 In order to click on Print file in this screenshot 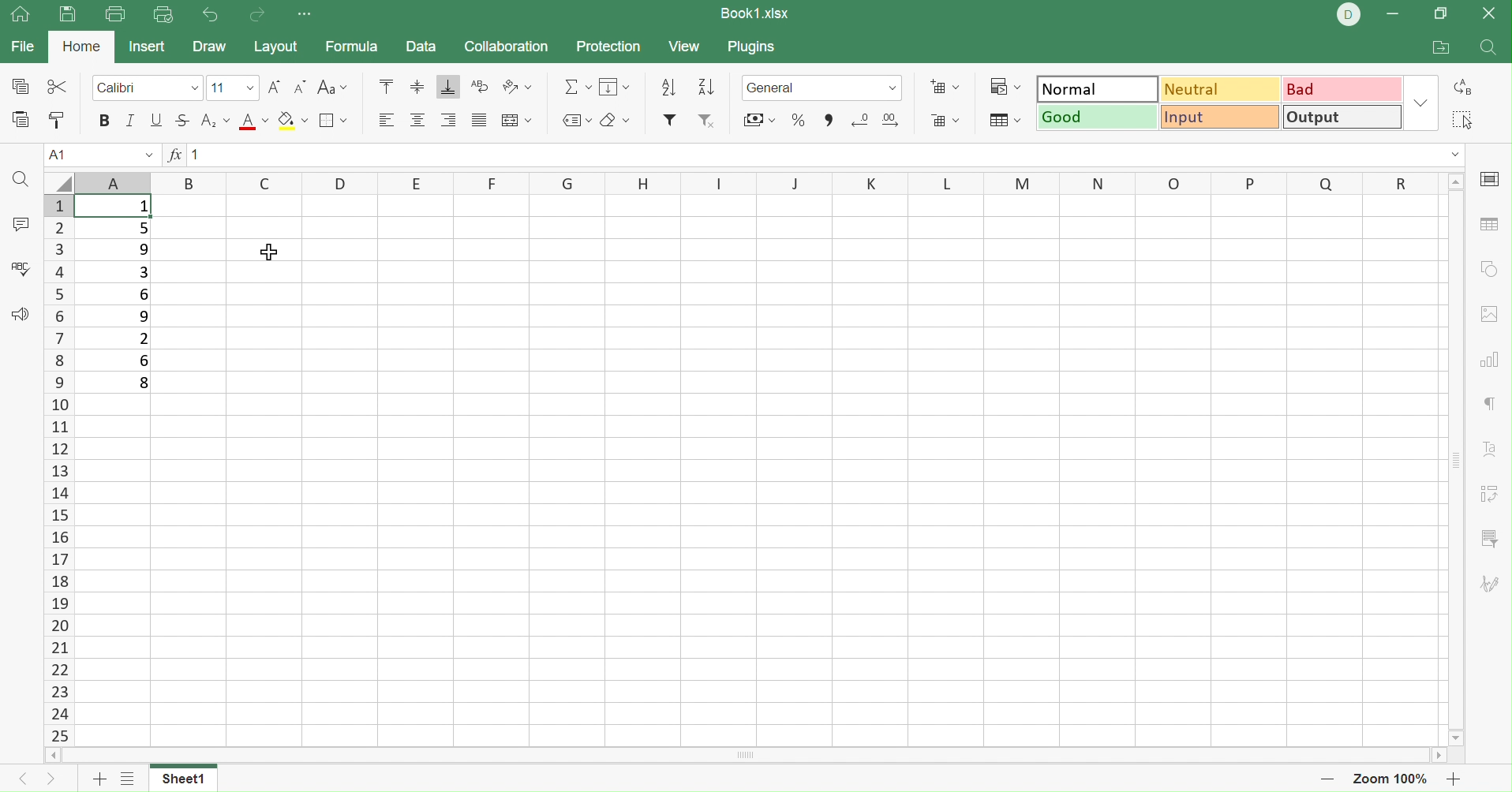, I will do `click(118, 15)`.